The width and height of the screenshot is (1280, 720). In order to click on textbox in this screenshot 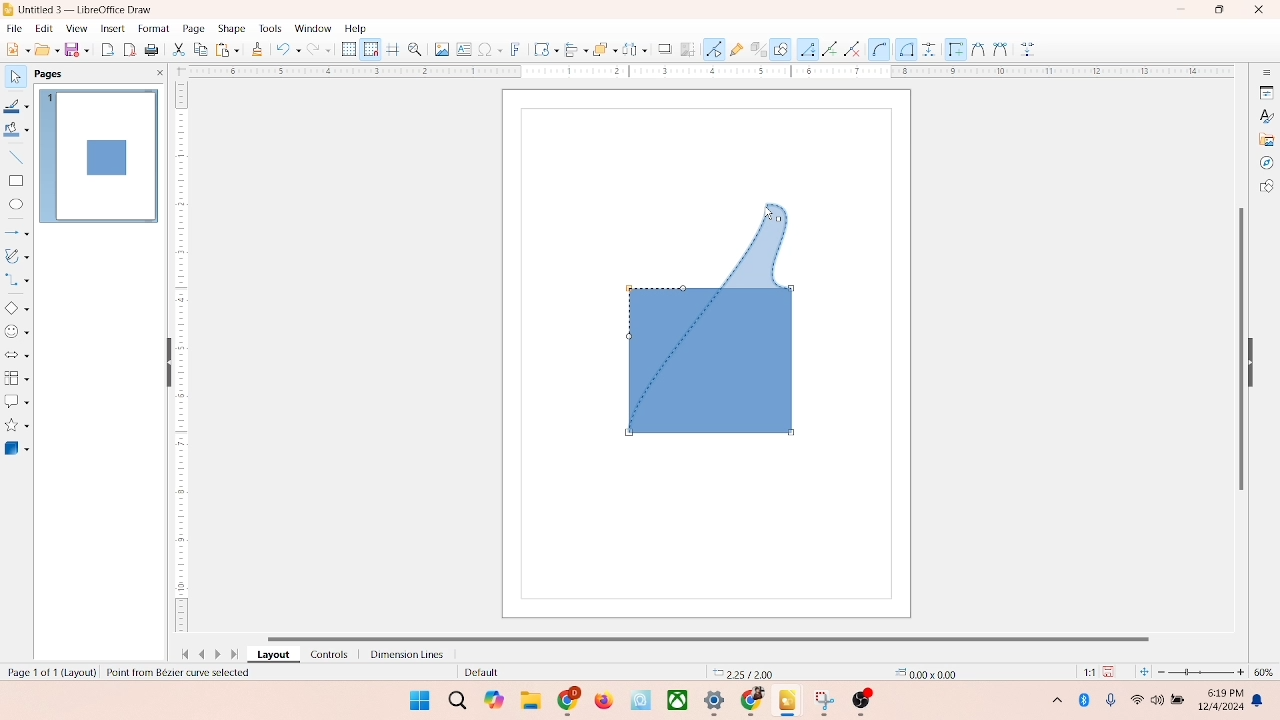, I will do `click(463, 51)`.